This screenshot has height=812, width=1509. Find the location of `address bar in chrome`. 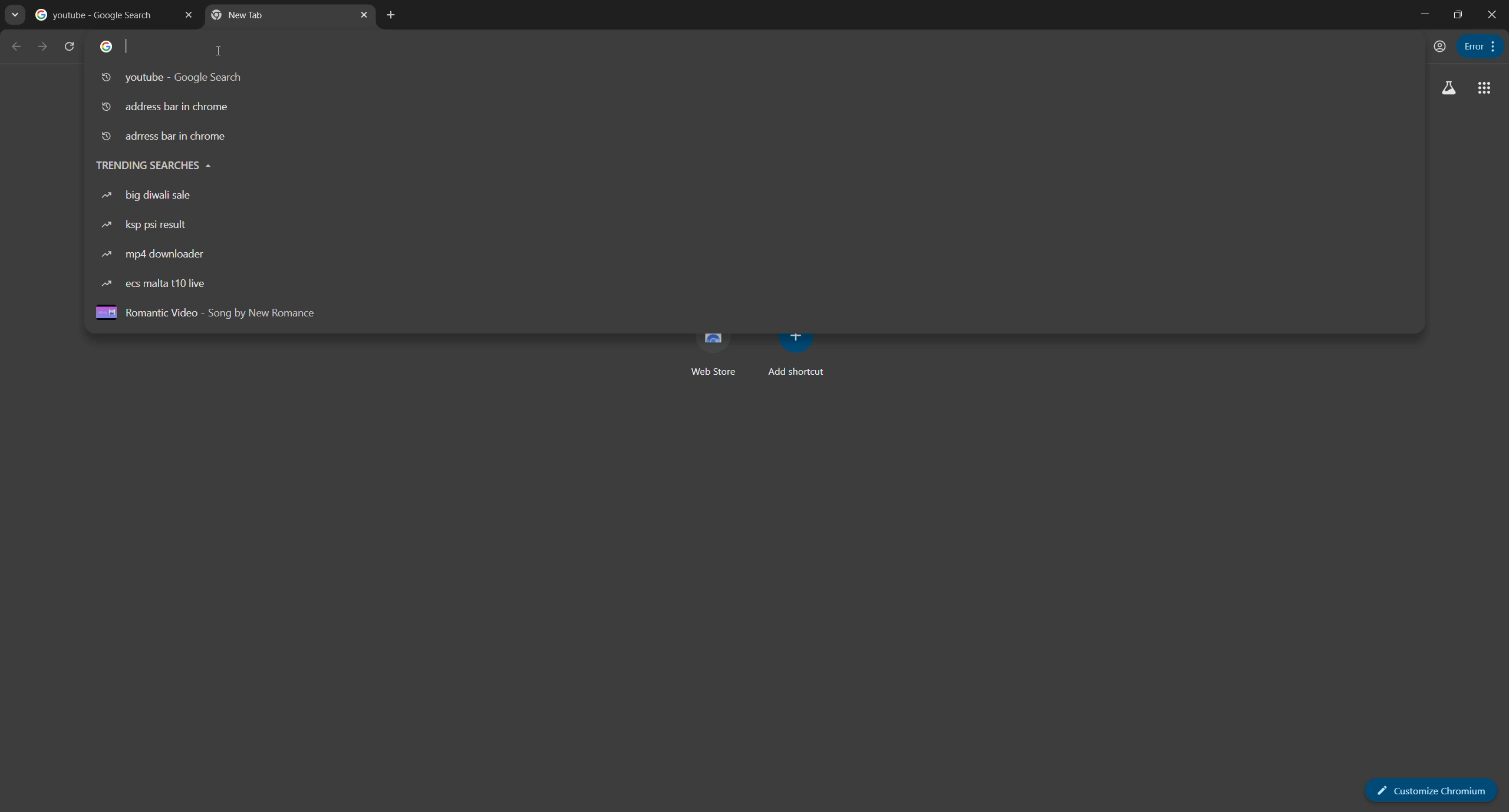

address bar in chrome is located at coordinates (166, 107).